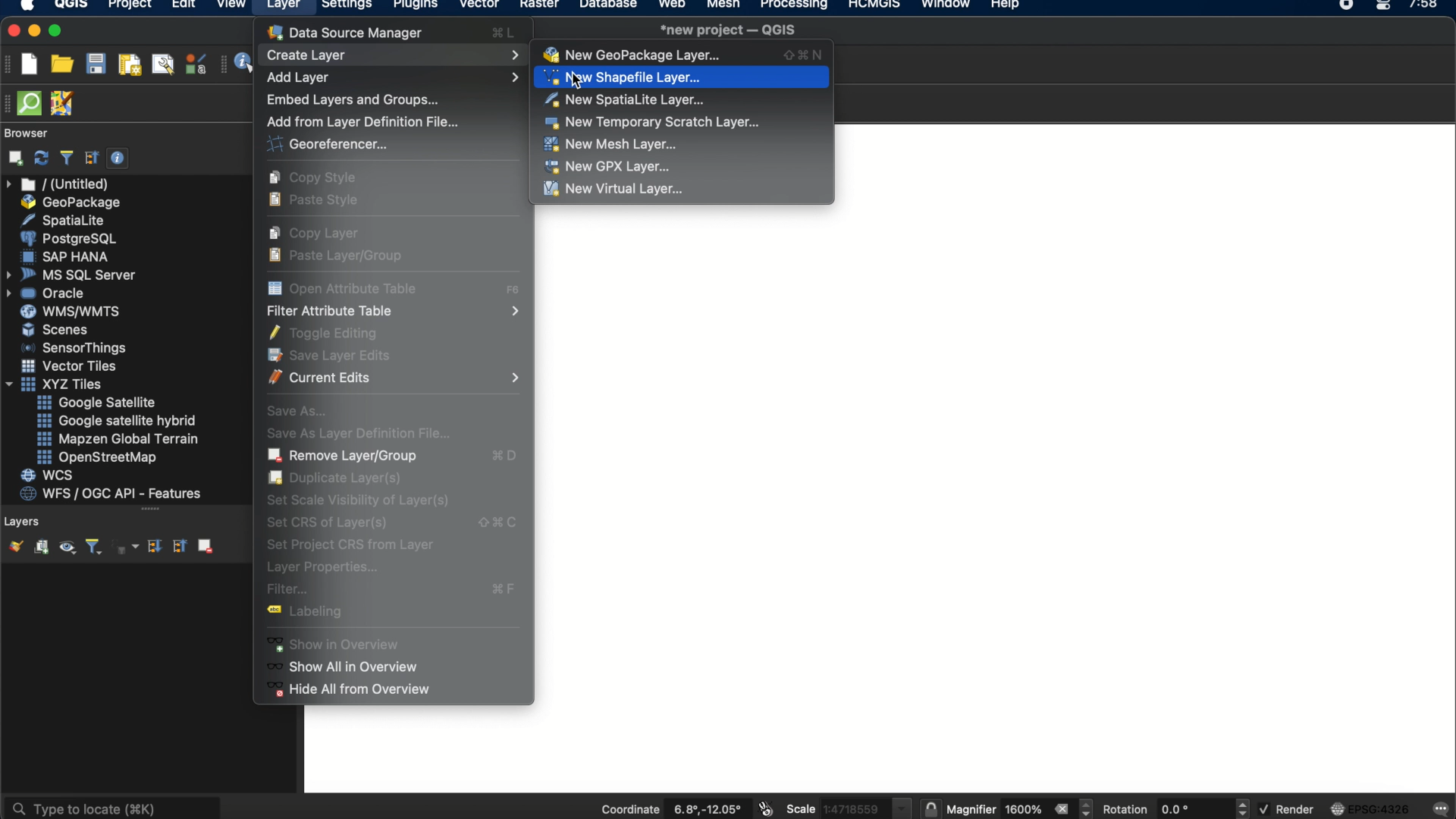 The image size is (1456, 819). I want to click on spatialite, so click(66, 220).